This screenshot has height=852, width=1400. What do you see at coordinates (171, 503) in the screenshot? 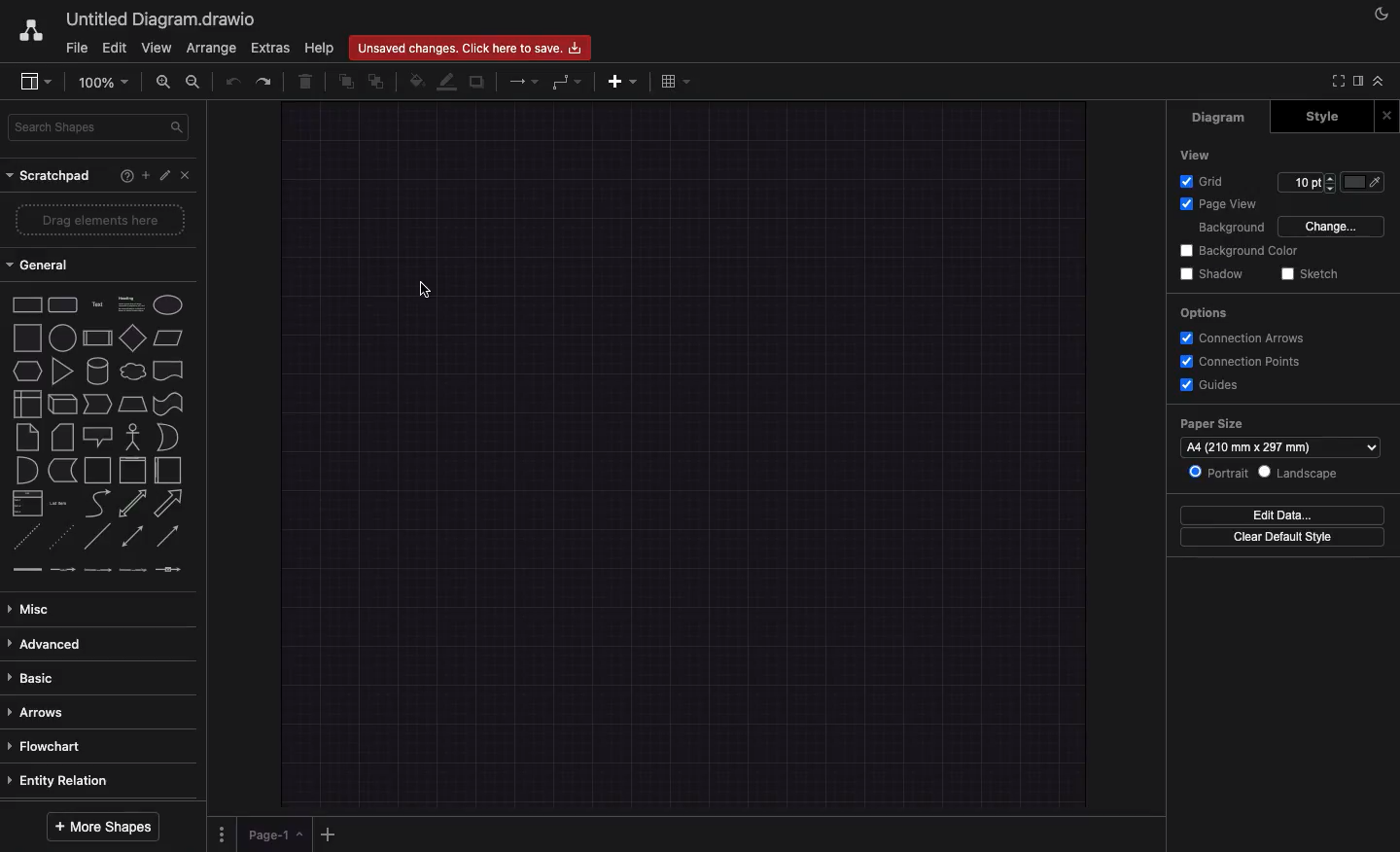
I see `arrow` at bounding box center [171, 503].